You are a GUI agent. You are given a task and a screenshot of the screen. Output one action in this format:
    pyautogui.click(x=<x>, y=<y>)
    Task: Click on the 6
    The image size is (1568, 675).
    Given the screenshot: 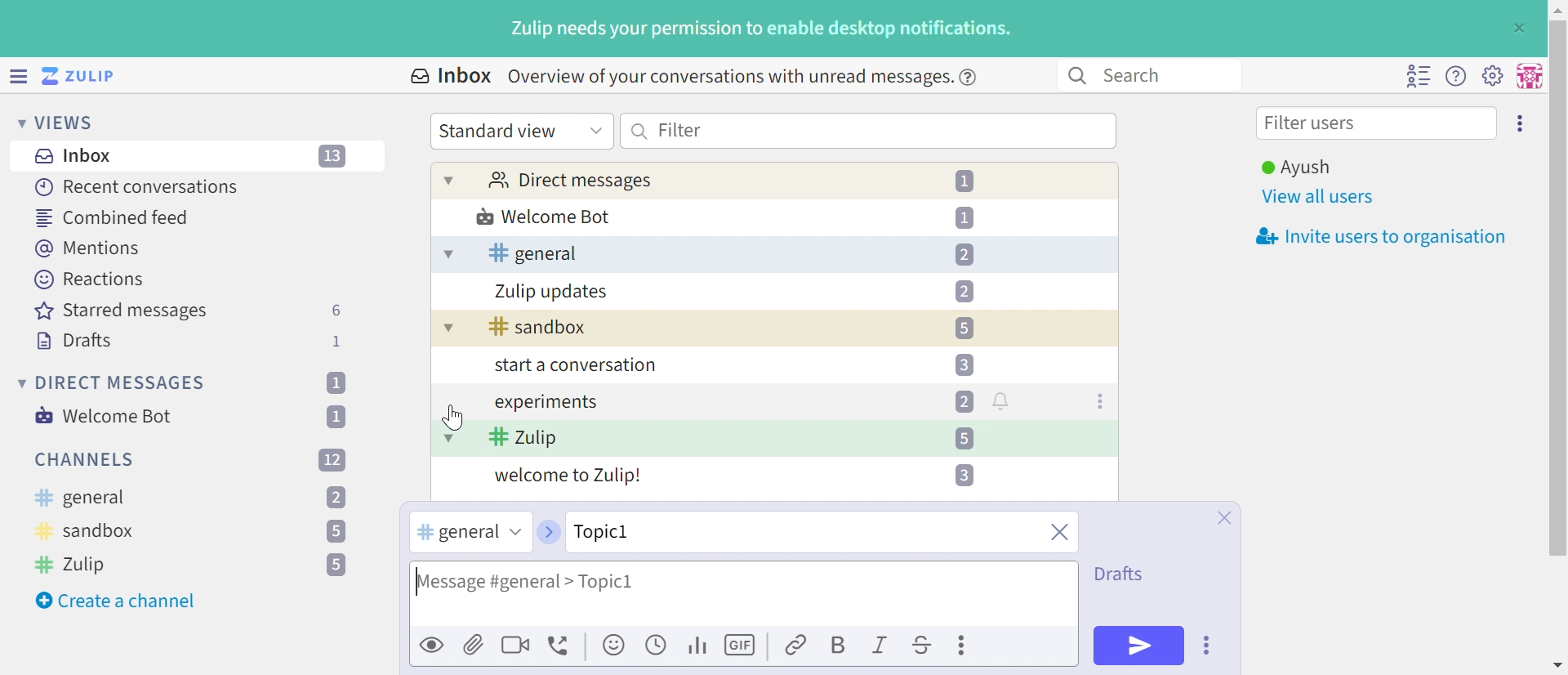 What is the action you would take?
    pyautogui.click(x=336, y=311)
    